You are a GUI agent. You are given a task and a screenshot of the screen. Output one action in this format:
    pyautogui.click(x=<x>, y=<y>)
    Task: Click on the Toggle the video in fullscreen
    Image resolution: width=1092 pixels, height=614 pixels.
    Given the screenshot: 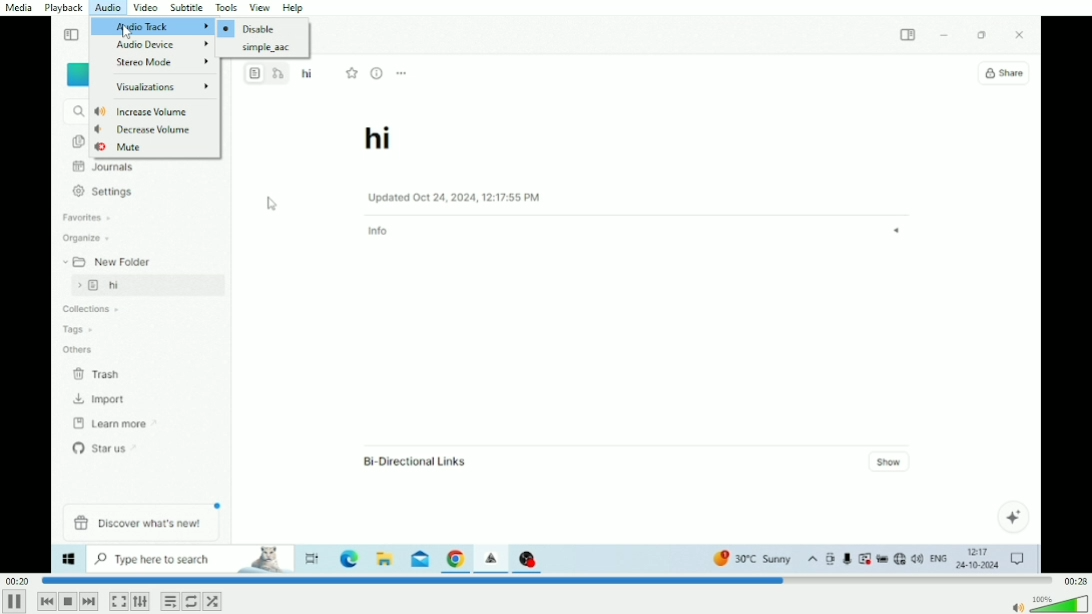 What is the action you would take?
    pyautogui.click(x=118, y=602)
    